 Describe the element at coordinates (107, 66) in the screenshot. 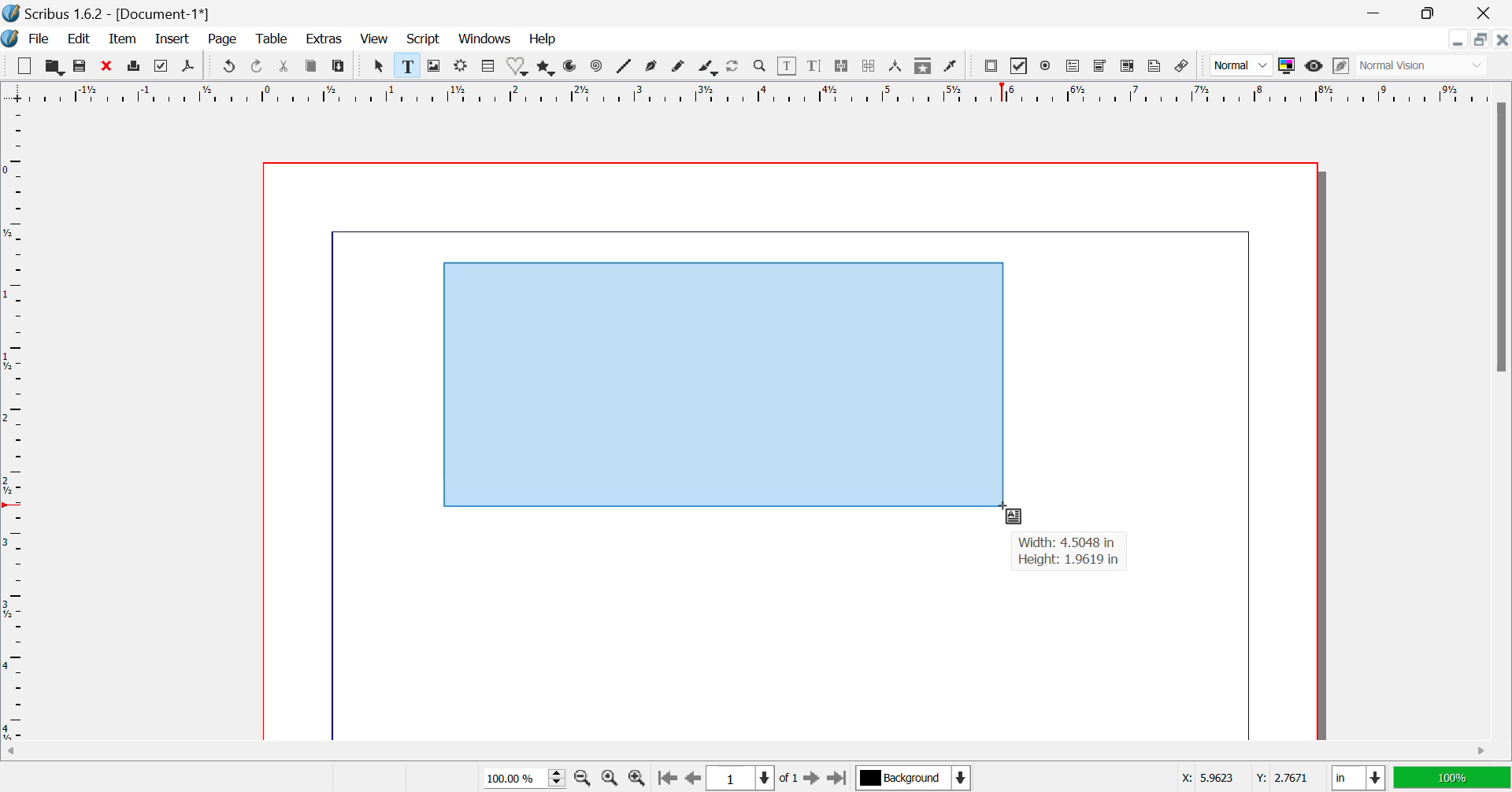

I see `Discard` at that location.